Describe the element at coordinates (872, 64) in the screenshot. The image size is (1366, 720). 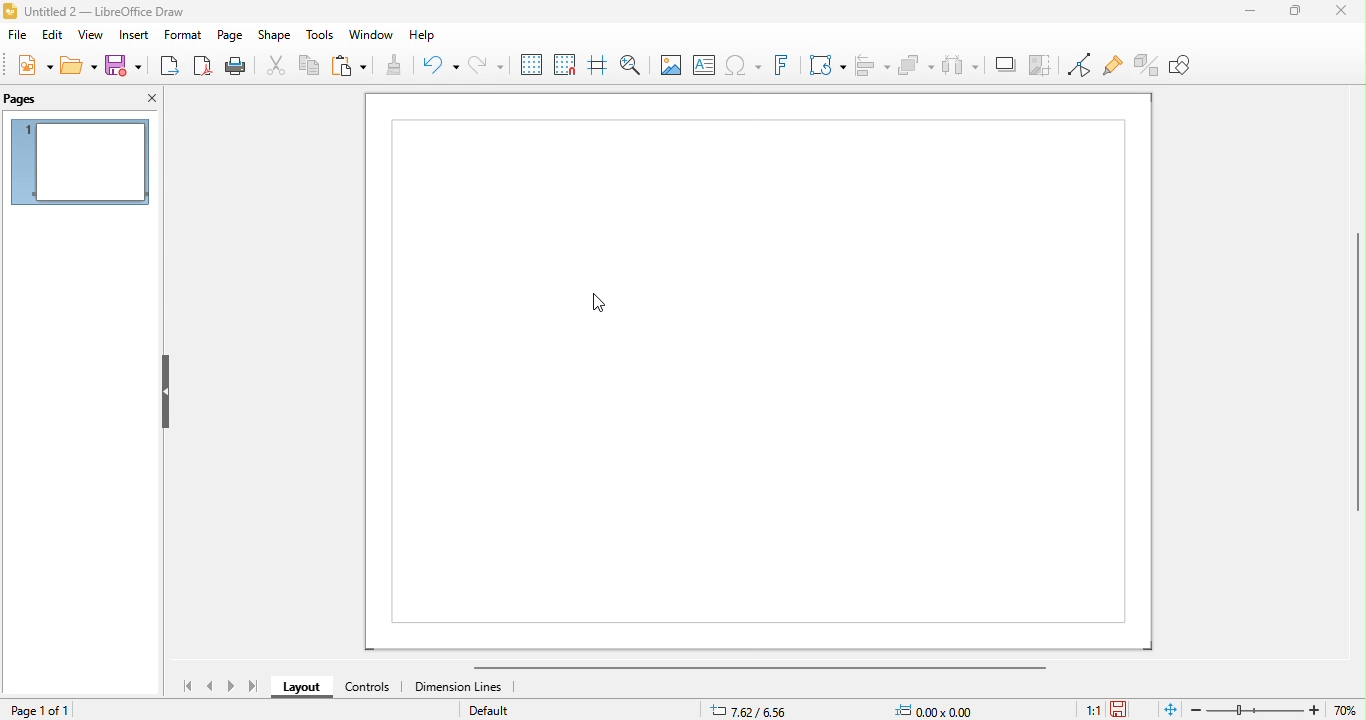
I see `align objects` at that location.